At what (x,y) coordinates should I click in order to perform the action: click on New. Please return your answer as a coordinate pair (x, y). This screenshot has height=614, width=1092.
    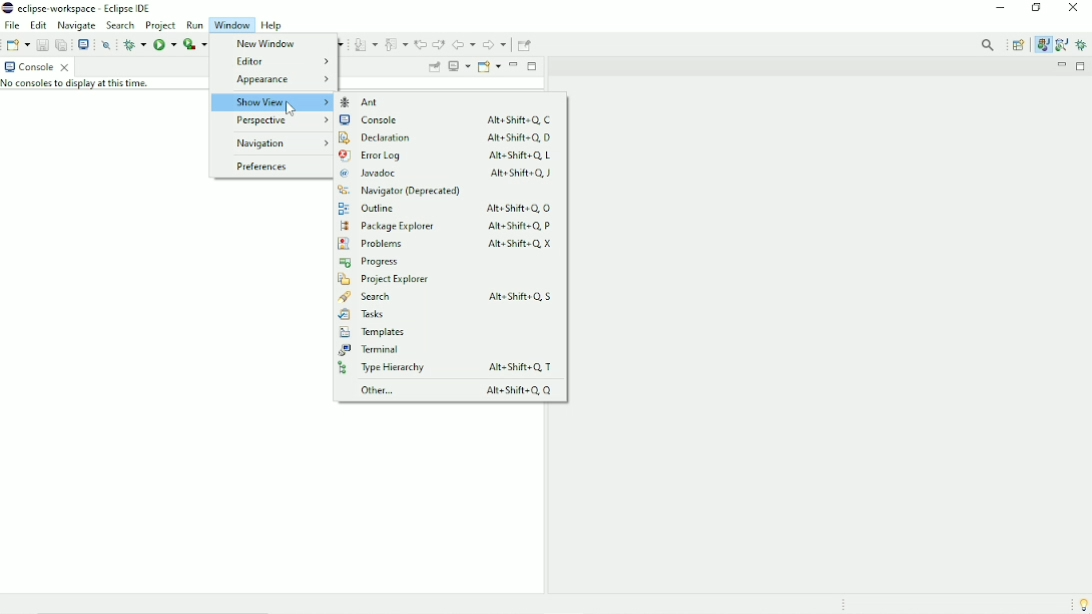
    Looking at the image, I should click on (18, 44).